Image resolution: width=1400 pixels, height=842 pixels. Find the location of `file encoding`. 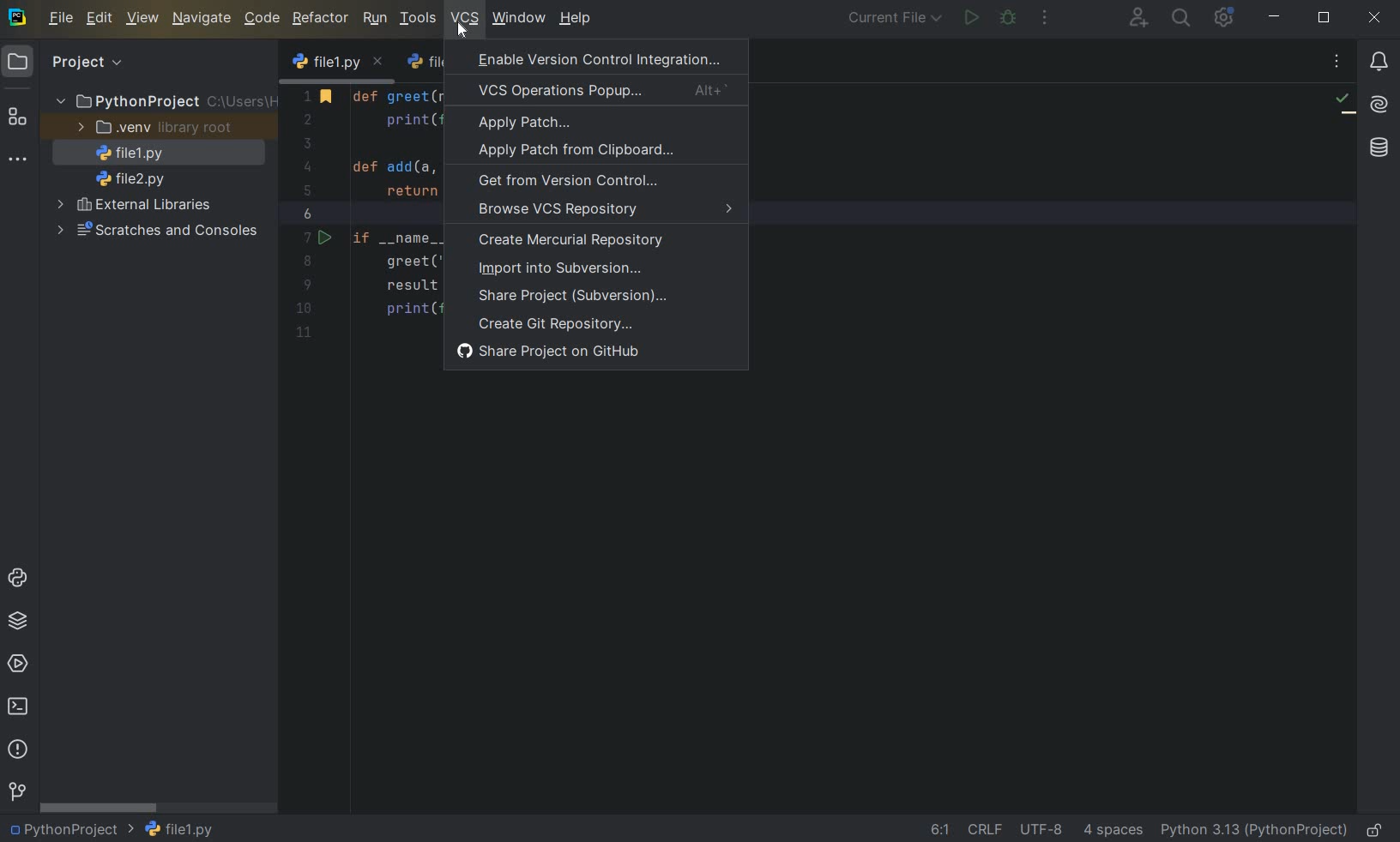

file encoding is located at coordinates (1042, 827).